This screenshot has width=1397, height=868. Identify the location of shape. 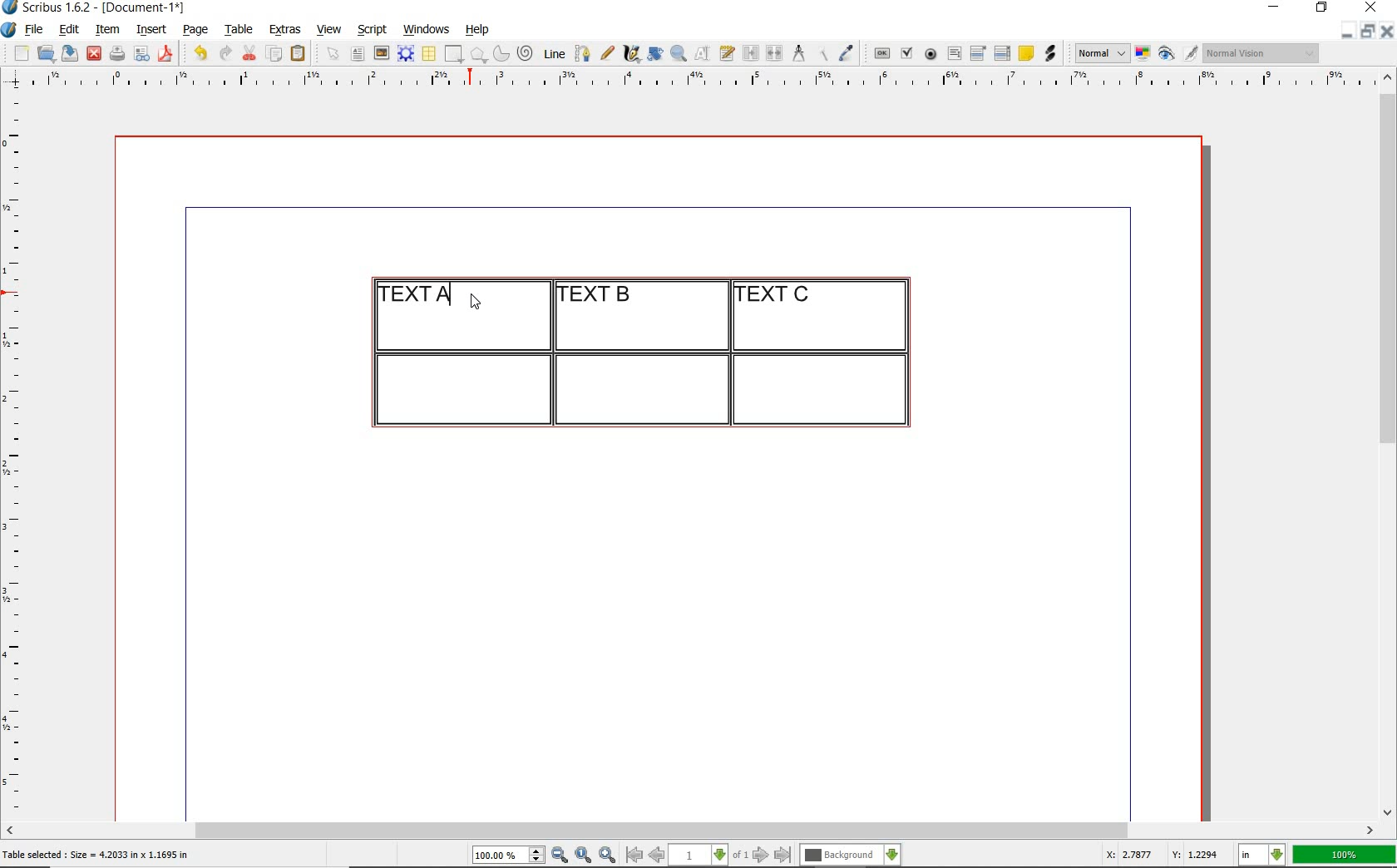
(456, 55).